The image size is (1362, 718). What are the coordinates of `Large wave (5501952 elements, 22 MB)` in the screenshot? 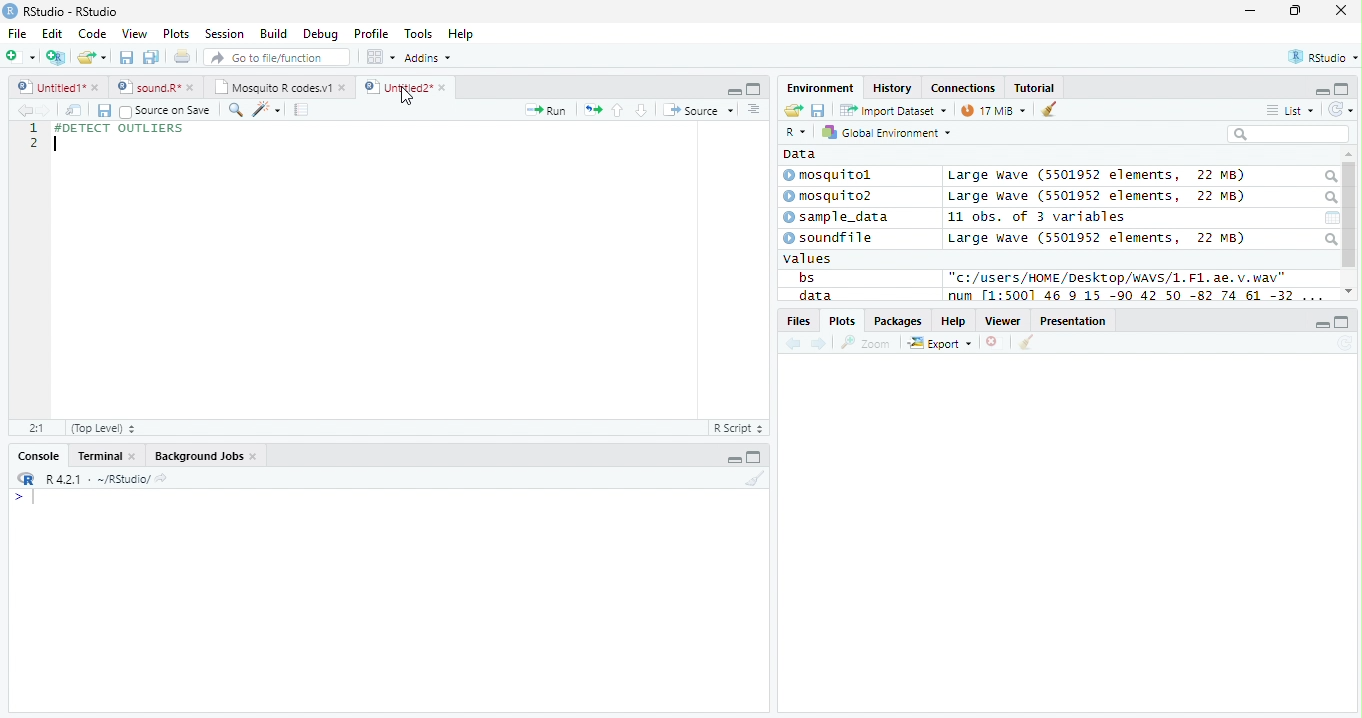 It's located at (1096, 176).